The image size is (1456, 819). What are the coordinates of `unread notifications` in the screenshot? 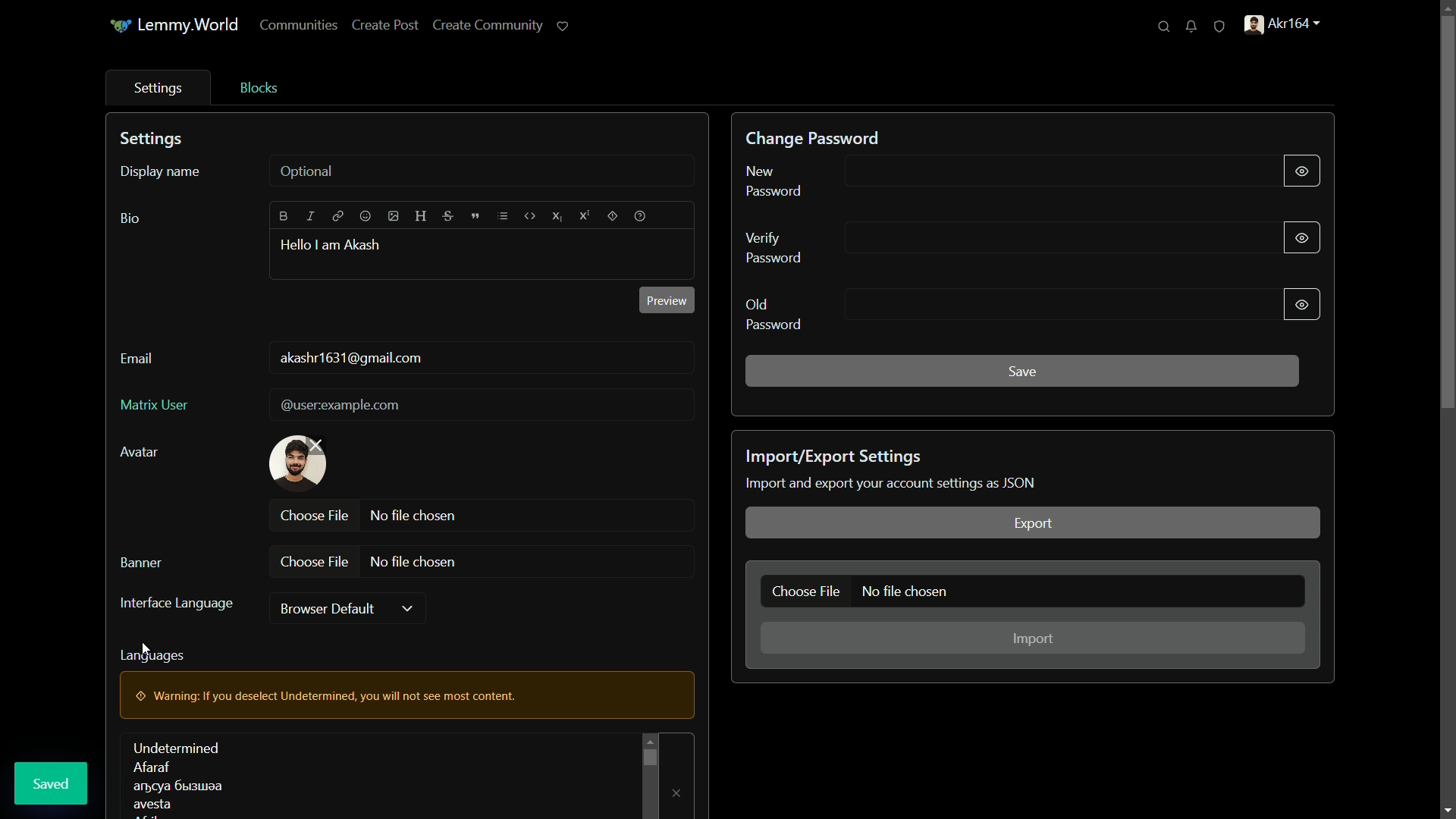 It's located at (1191, 26).